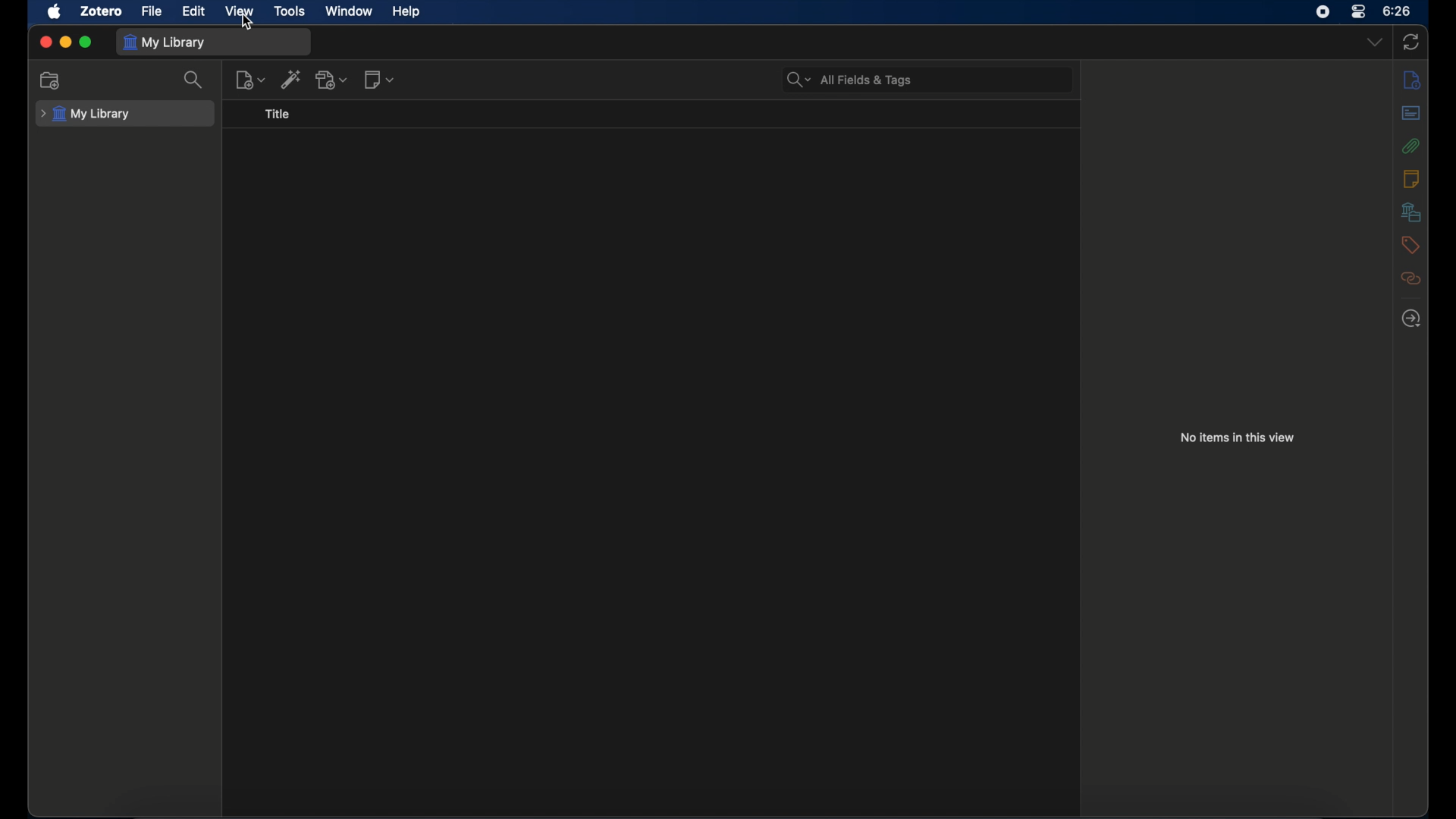 The image size is (1456, 819). Describe the element at coordinates (193, 80) in the screenshot. I see `search` at that location.